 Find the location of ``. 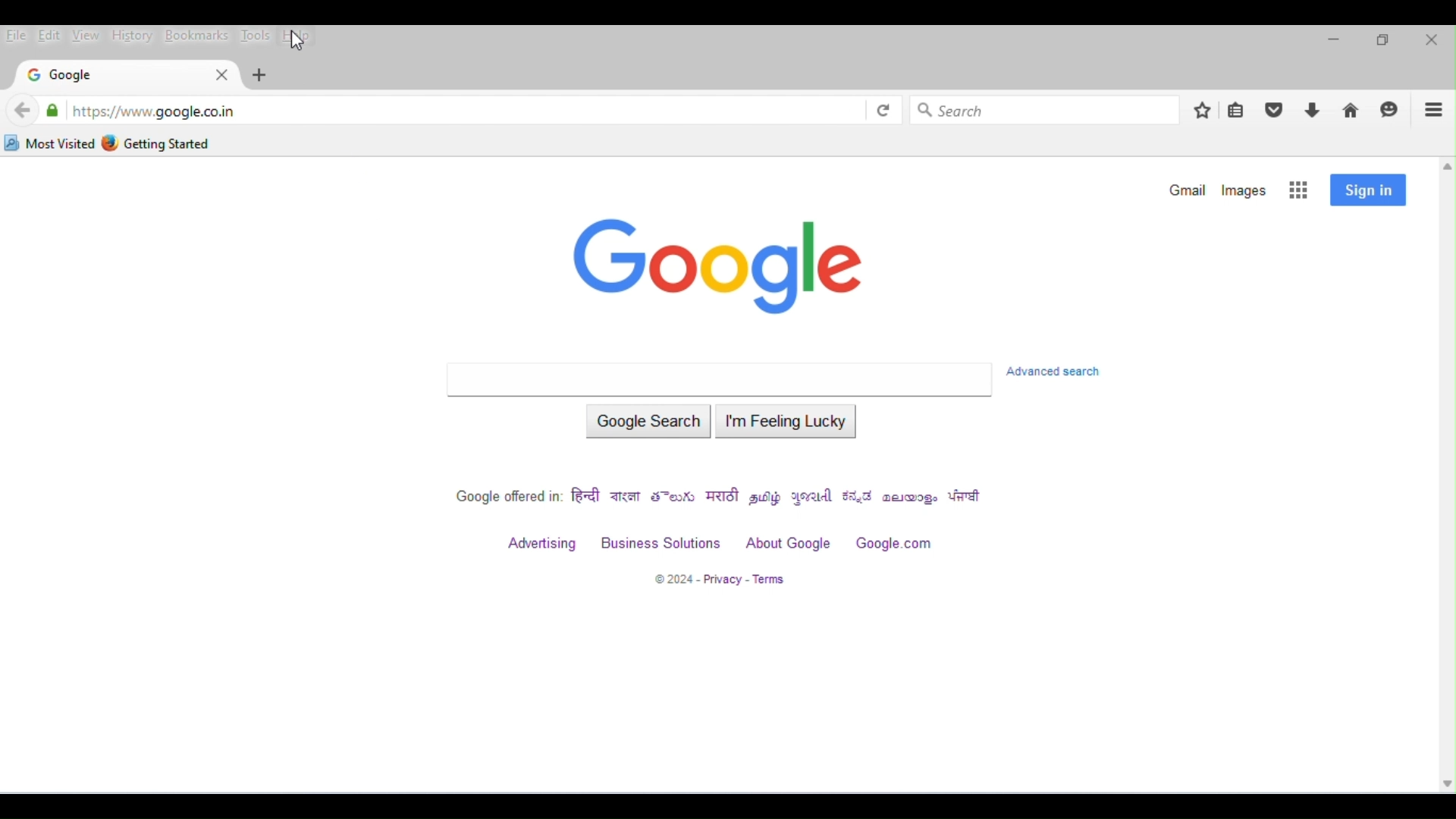

 is located at coordinates (860, 498).